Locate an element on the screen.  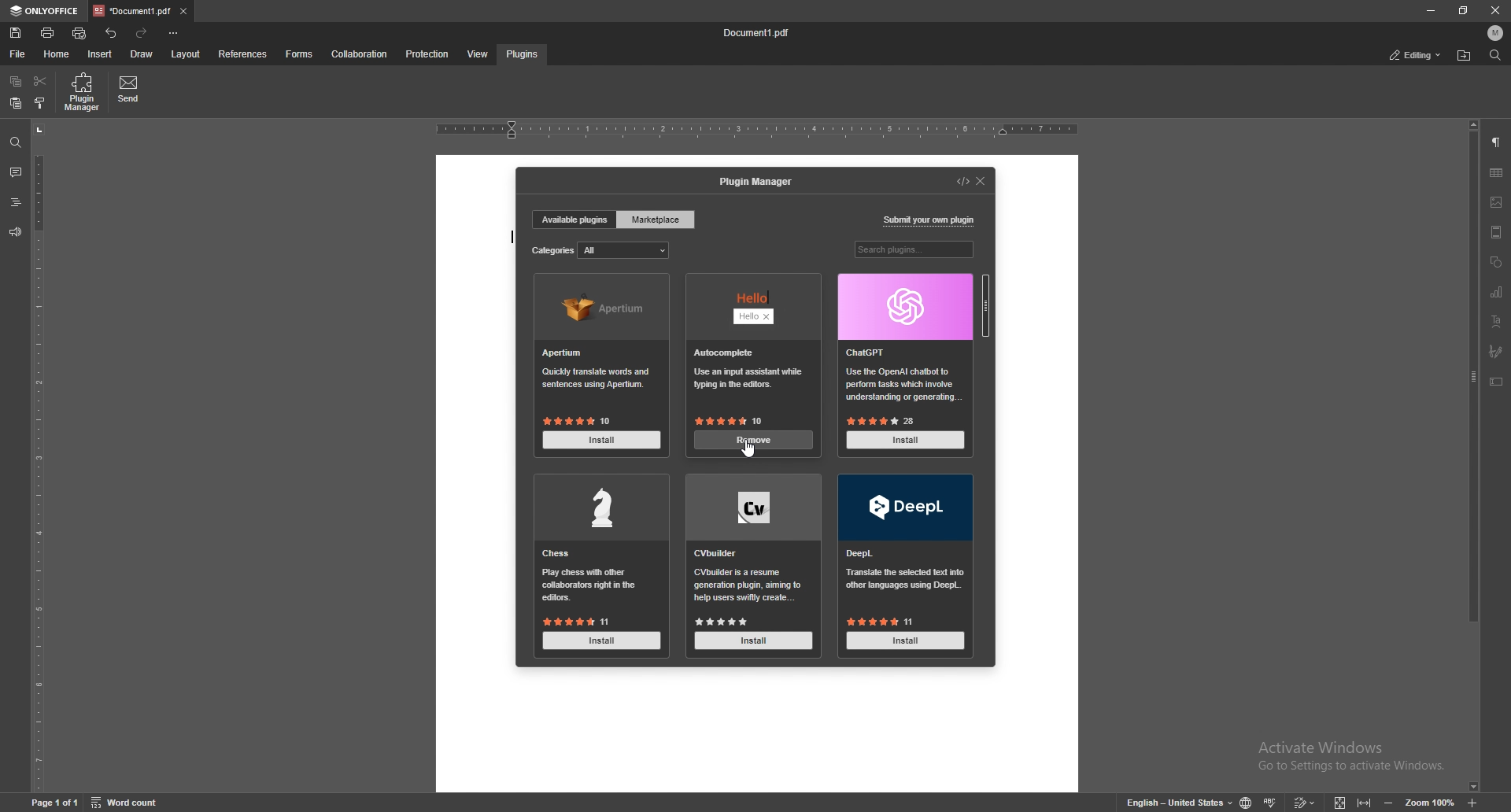
install is located at coordinates (907, 641).